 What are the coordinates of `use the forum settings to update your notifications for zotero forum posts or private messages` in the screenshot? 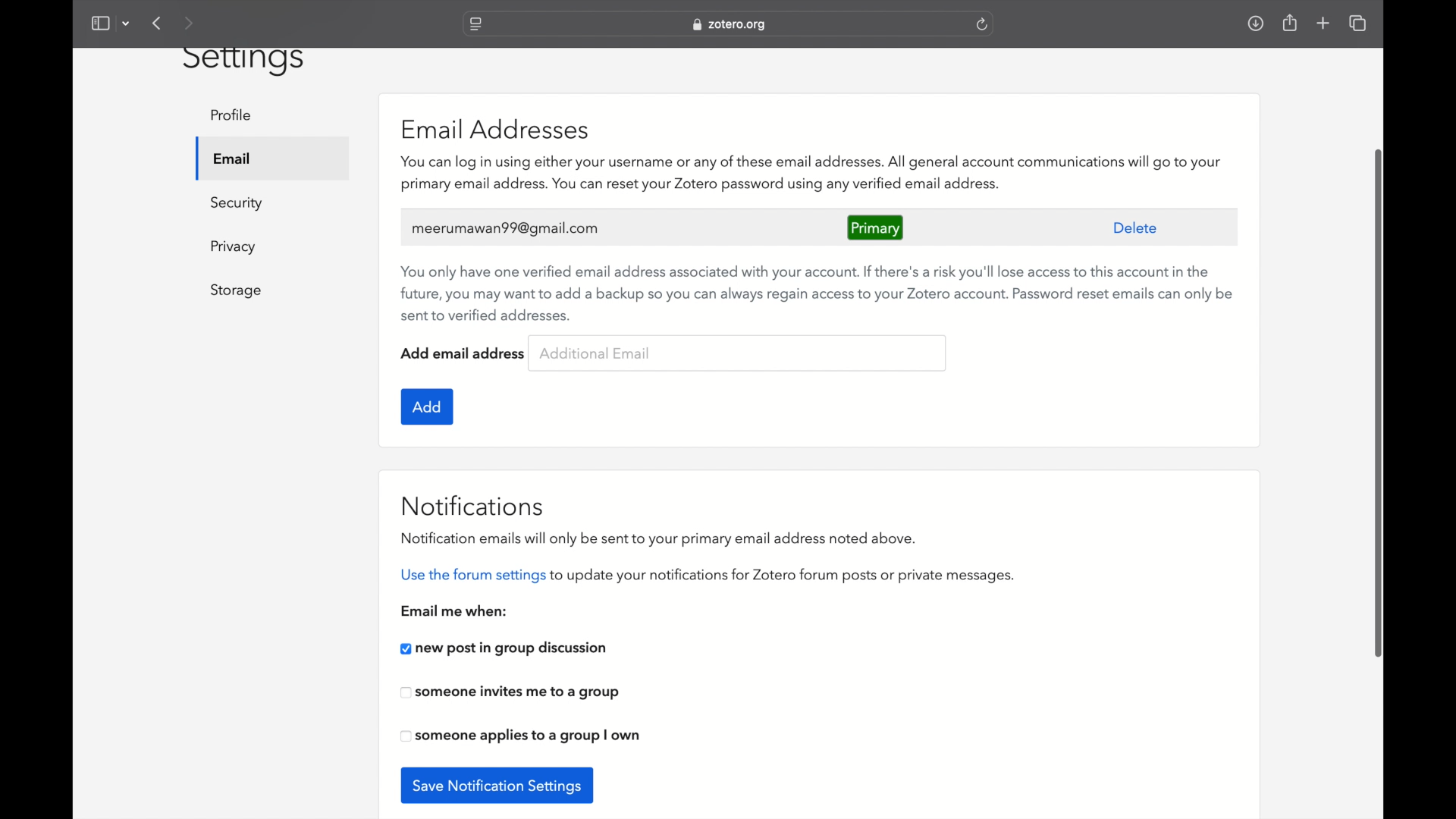 It's located at (704, 575).